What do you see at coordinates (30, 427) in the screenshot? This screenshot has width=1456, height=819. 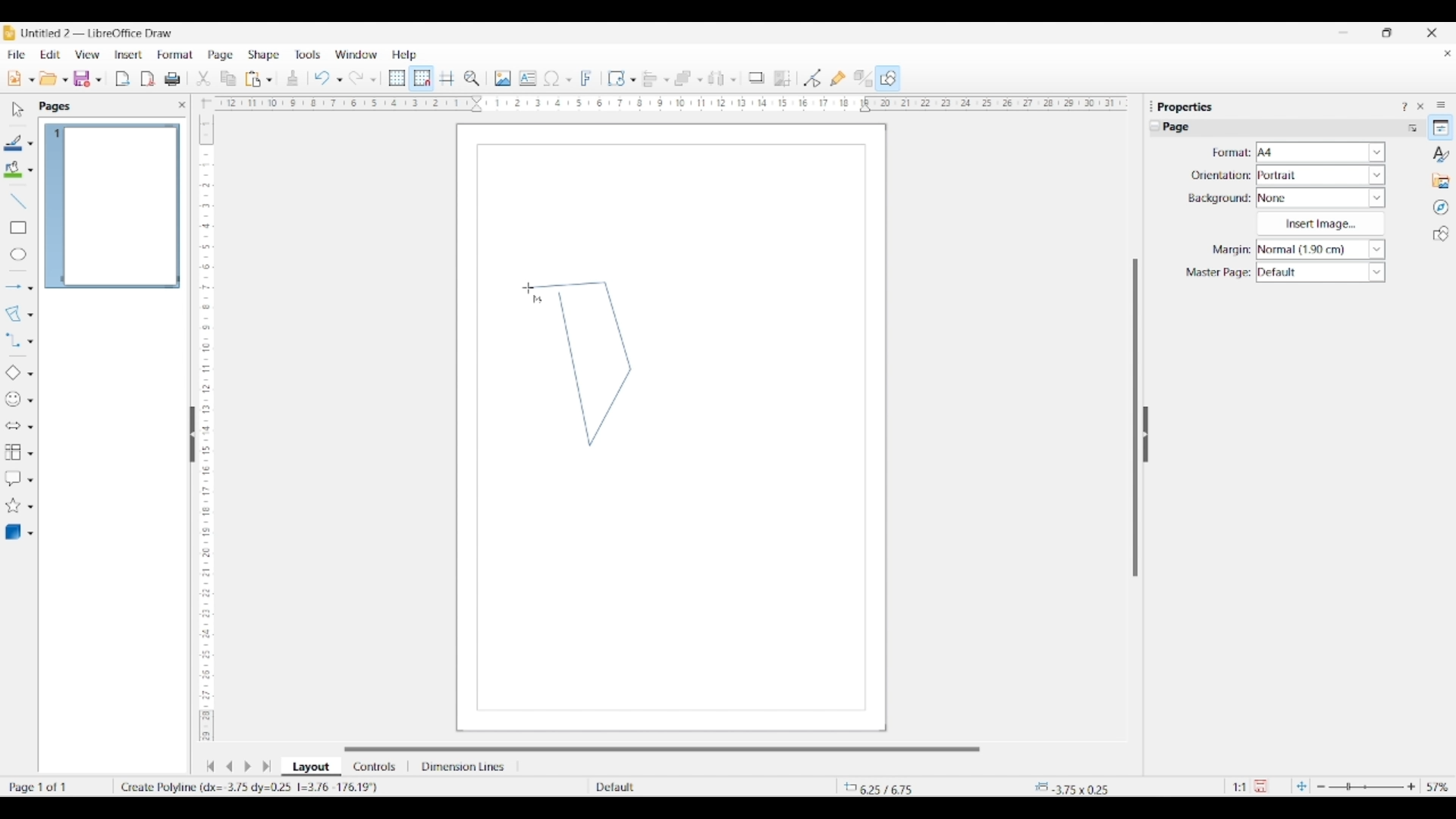 I see `Block arrow options` at bounding box center [30, 427].